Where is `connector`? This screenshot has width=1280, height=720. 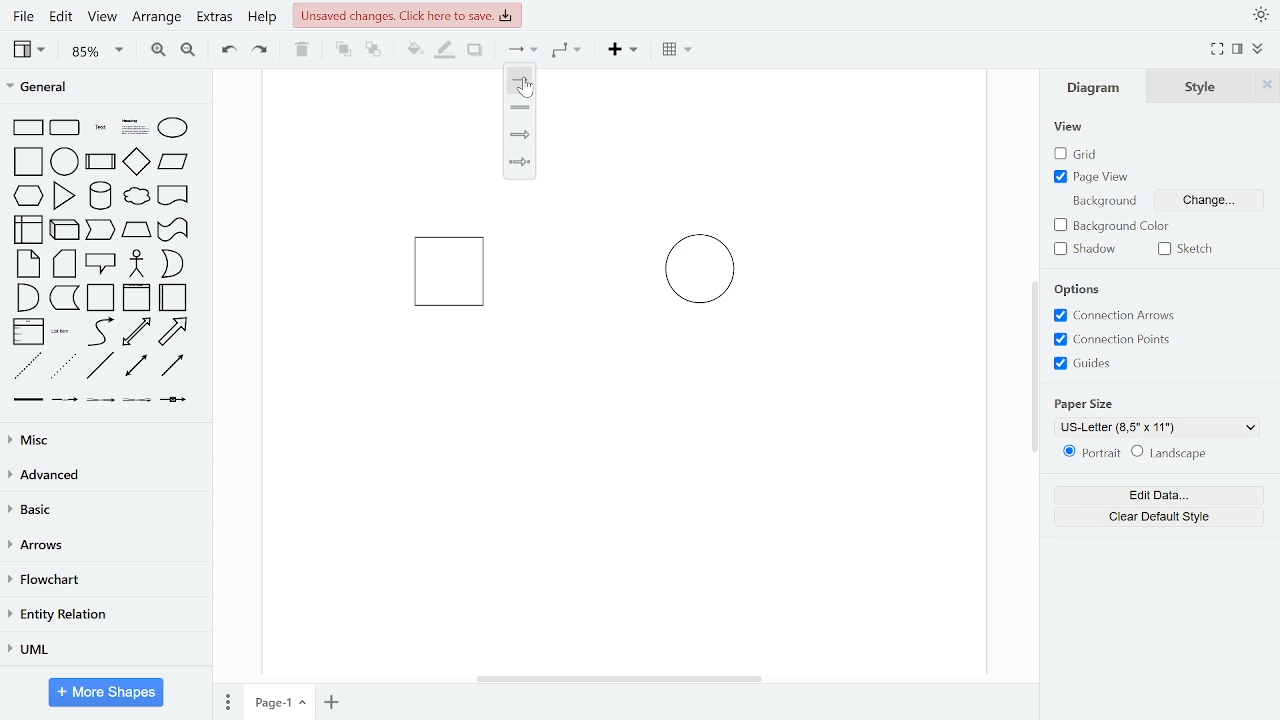 connector is located at coordinates (522, 51).